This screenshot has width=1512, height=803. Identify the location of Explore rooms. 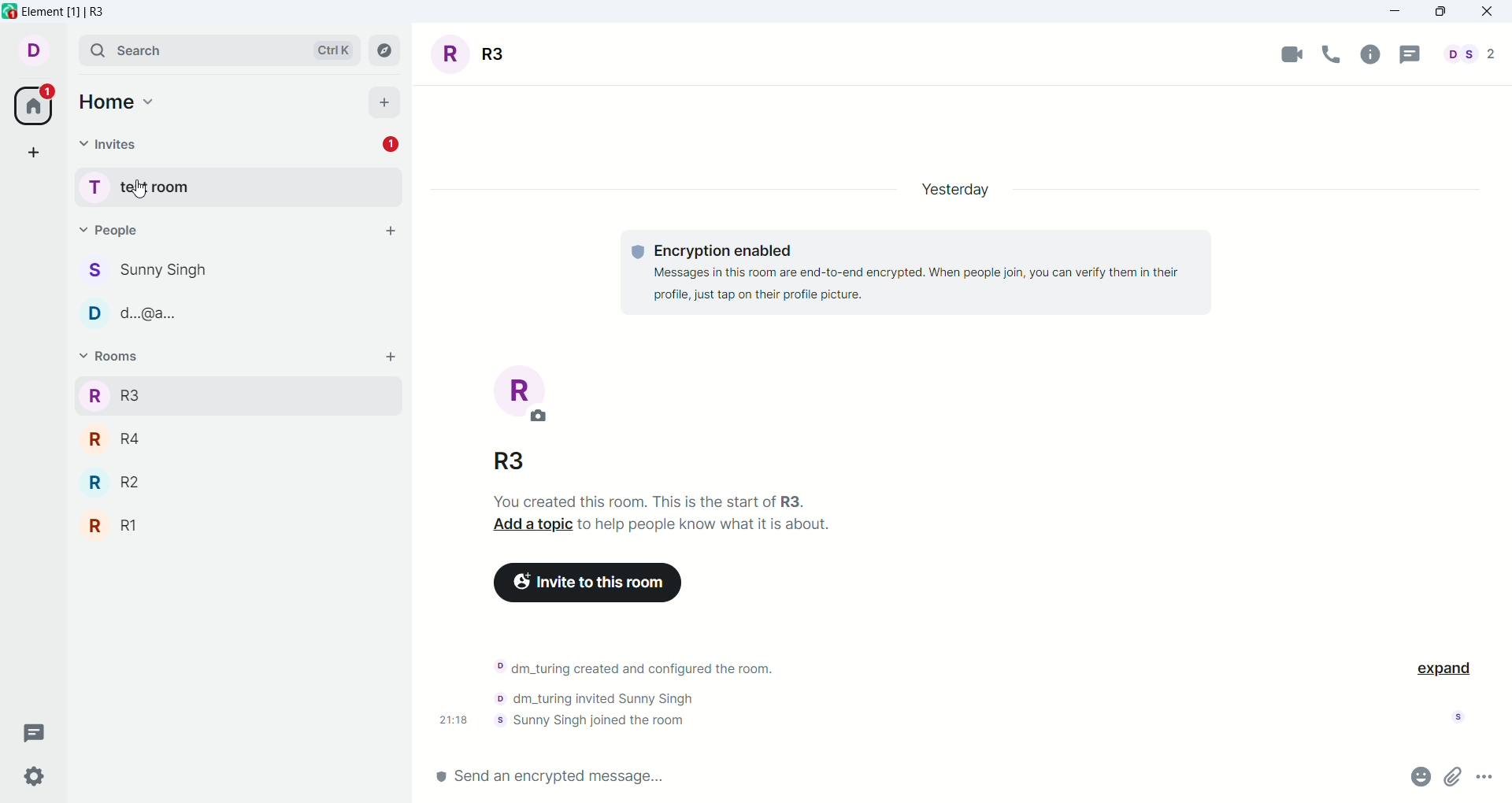
(386, 50).